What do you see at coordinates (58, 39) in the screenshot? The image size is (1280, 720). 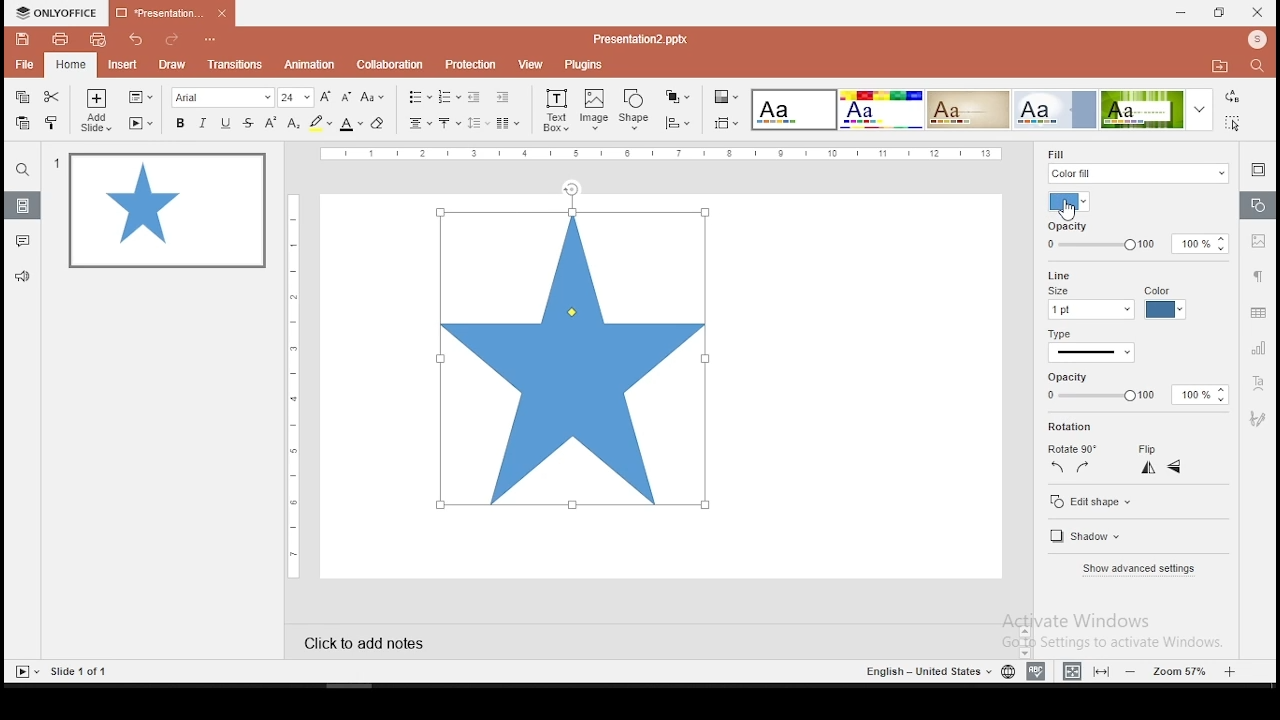 I see `print file` at bounding box center [58, 39].